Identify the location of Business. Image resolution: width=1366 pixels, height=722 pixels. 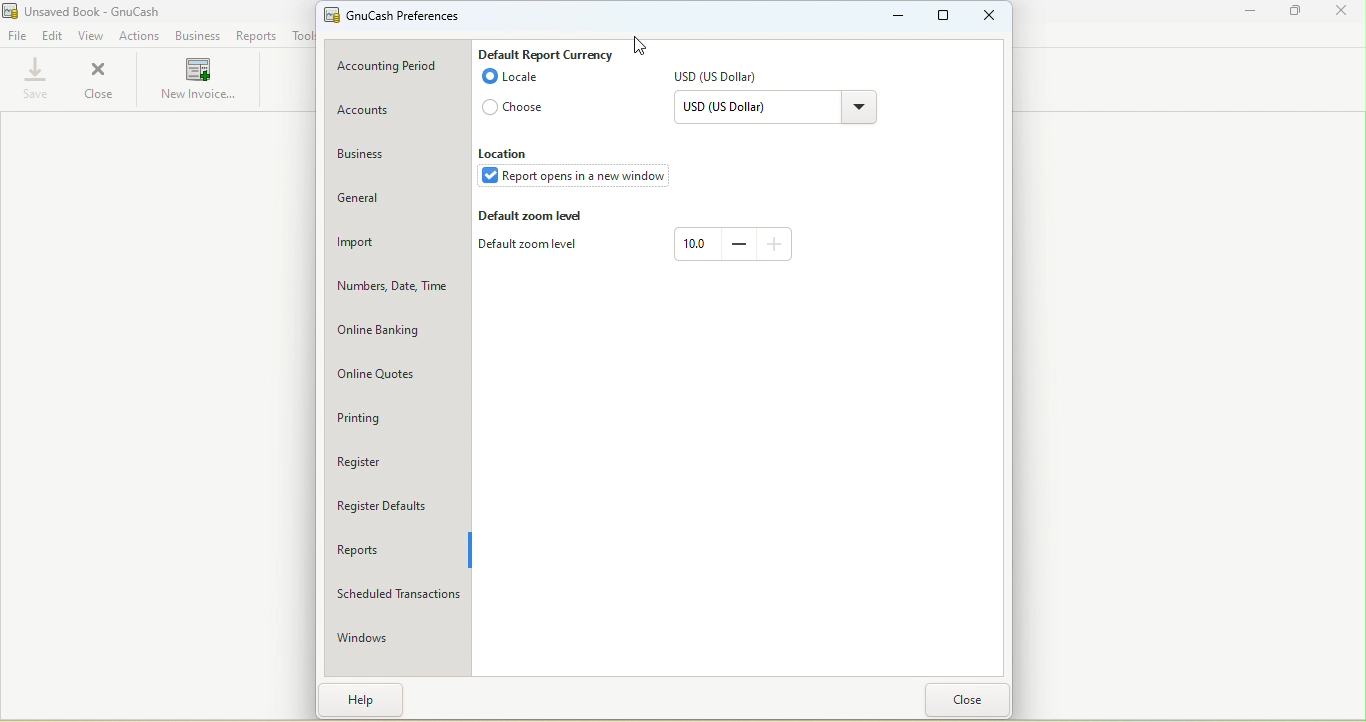
(196, 37).